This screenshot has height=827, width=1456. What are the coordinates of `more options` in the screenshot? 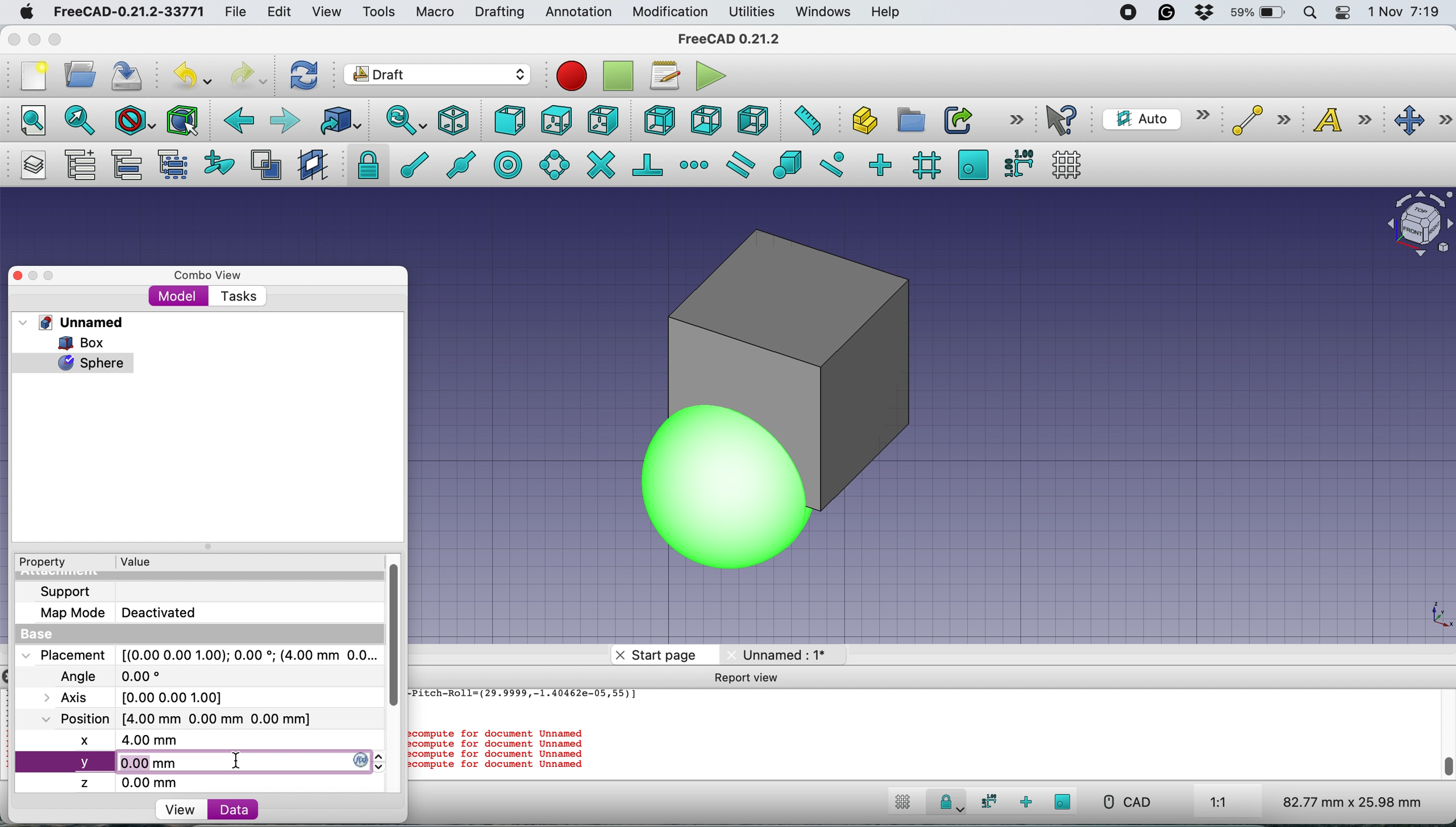 It's located at (1016, 119).